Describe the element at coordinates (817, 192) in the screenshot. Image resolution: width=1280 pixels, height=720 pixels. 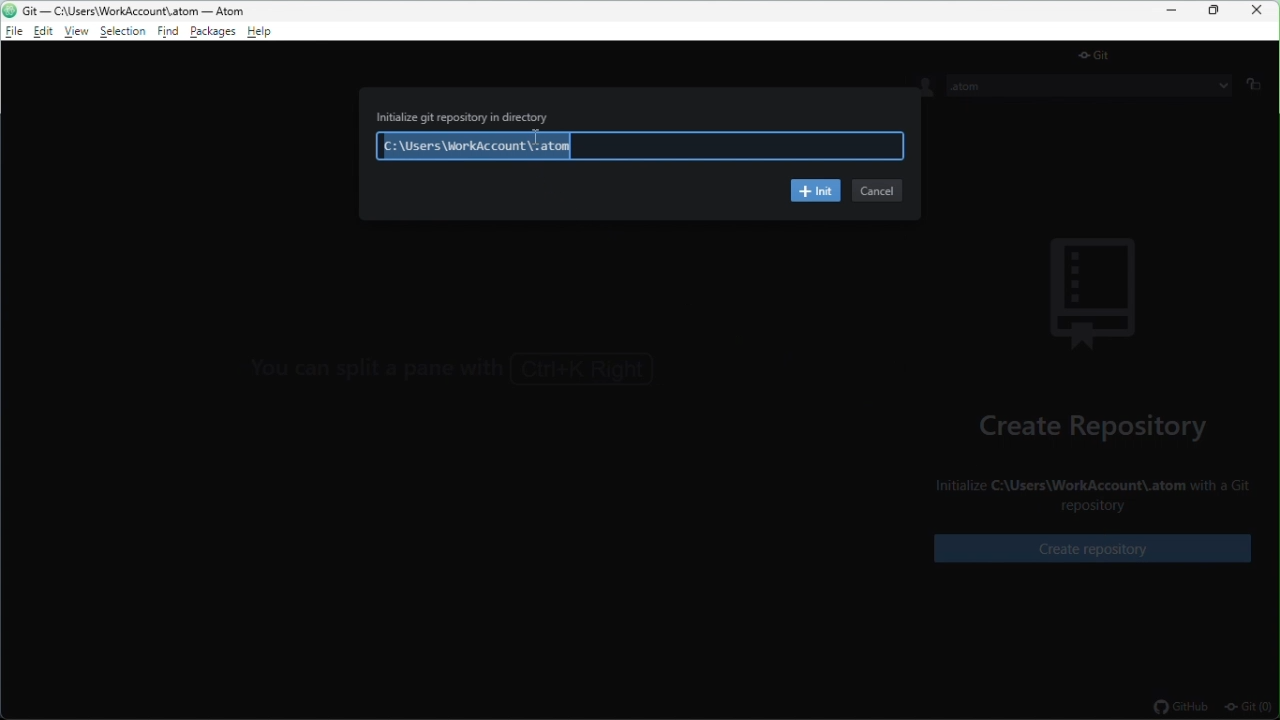
I see `init` at that location.